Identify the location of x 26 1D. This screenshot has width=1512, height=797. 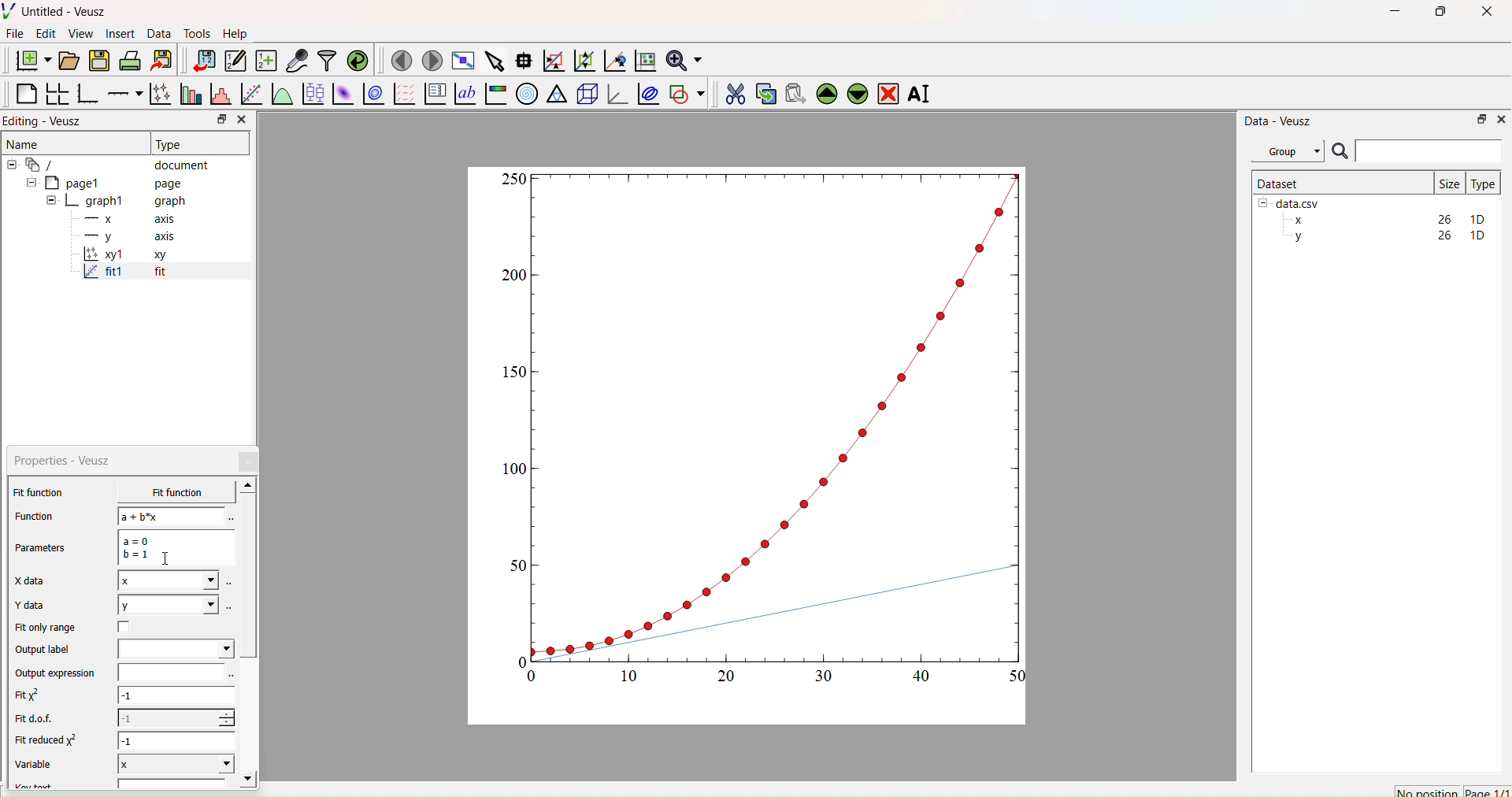
(1385, 220).